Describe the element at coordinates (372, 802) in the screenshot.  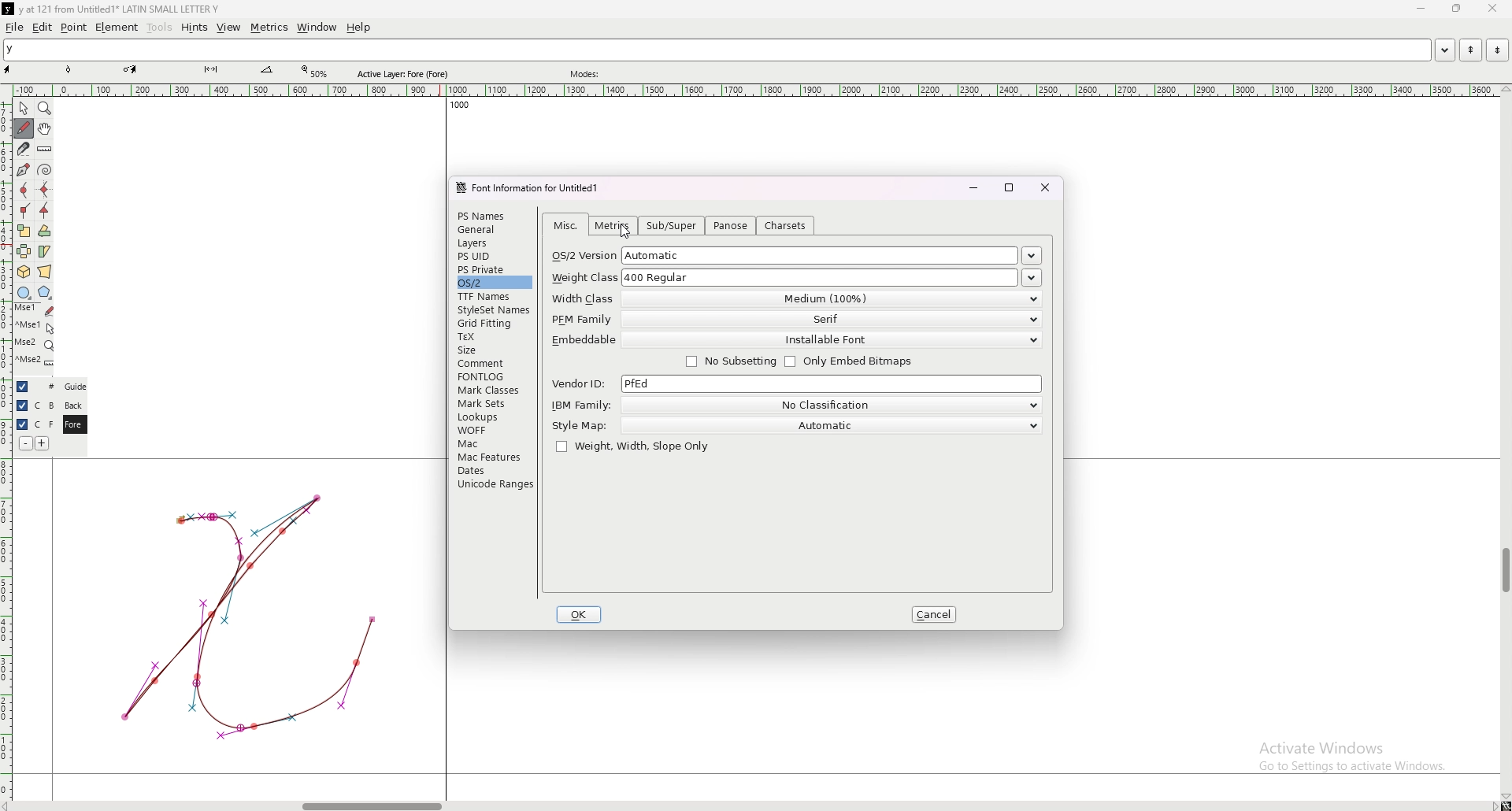
I see `scroll bar horizontal` at that location.